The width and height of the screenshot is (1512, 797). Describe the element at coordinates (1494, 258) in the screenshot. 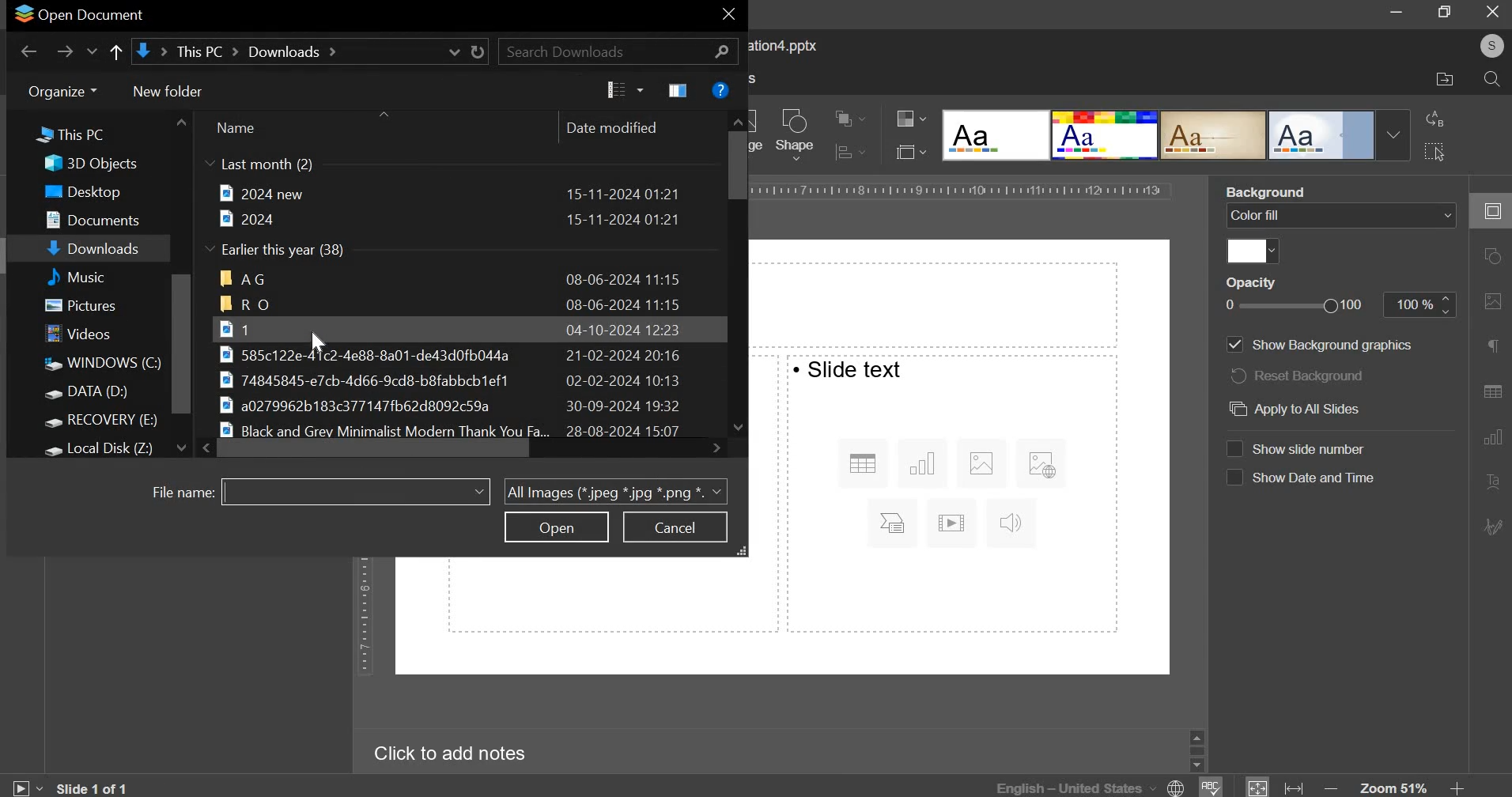

I see `shape setting` at that location.